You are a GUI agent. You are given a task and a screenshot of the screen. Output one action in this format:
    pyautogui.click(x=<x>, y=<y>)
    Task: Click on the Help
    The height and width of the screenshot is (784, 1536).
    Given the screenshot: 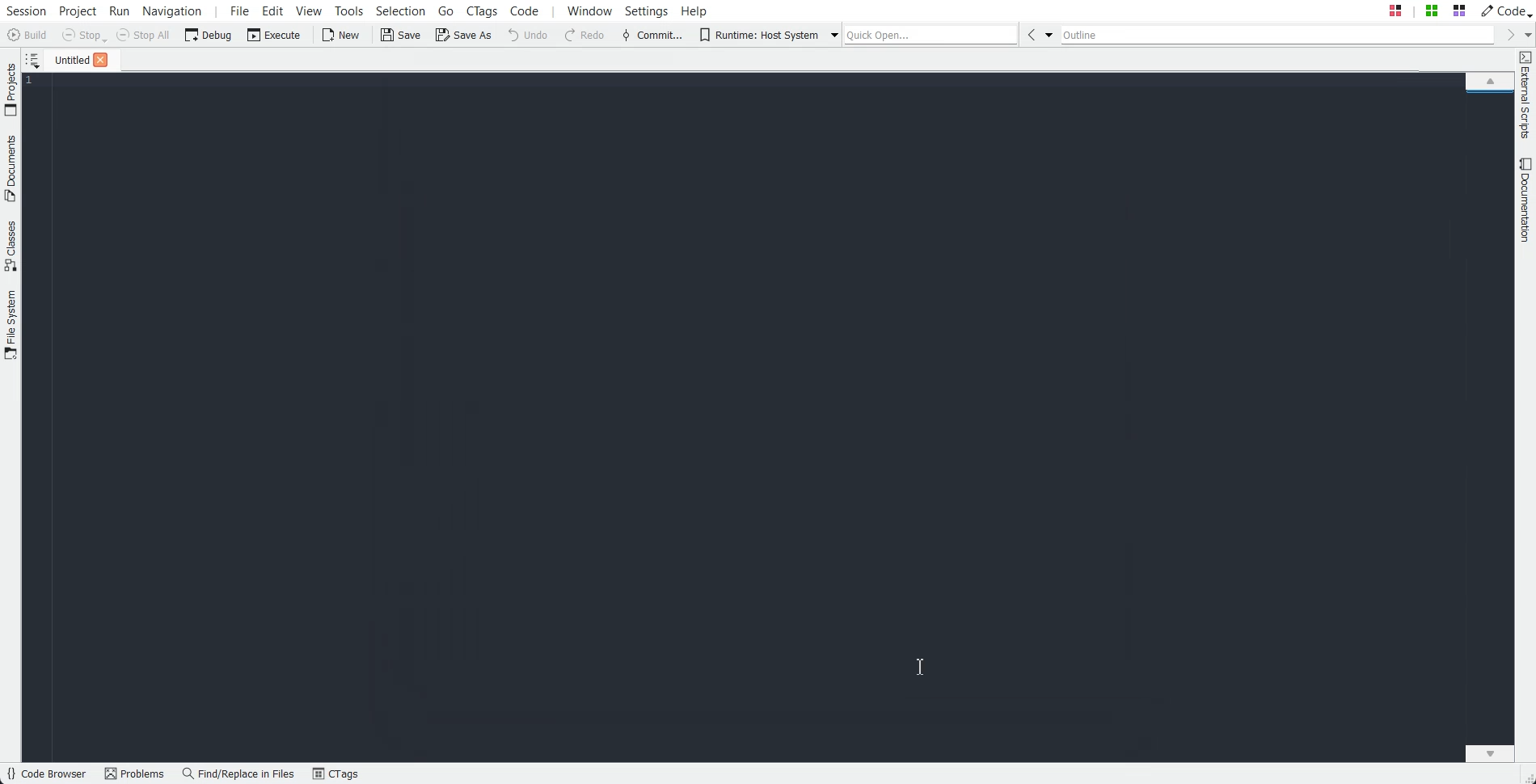 What is the action you would take?
    pyautogui.click(x=694, y=10)
    